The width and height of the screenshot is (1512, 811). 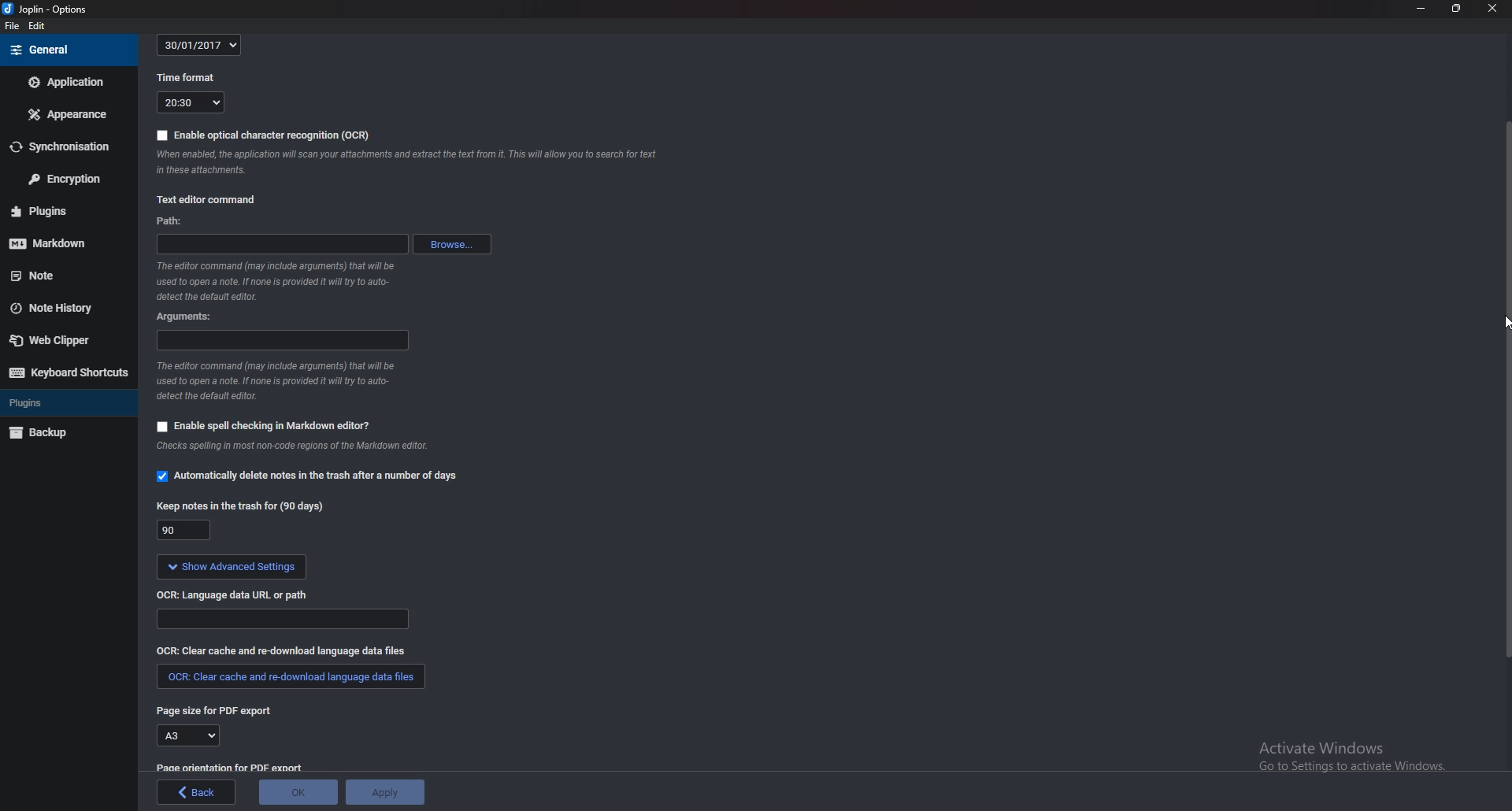 I want to click on browse, so click(x=452, y=243).